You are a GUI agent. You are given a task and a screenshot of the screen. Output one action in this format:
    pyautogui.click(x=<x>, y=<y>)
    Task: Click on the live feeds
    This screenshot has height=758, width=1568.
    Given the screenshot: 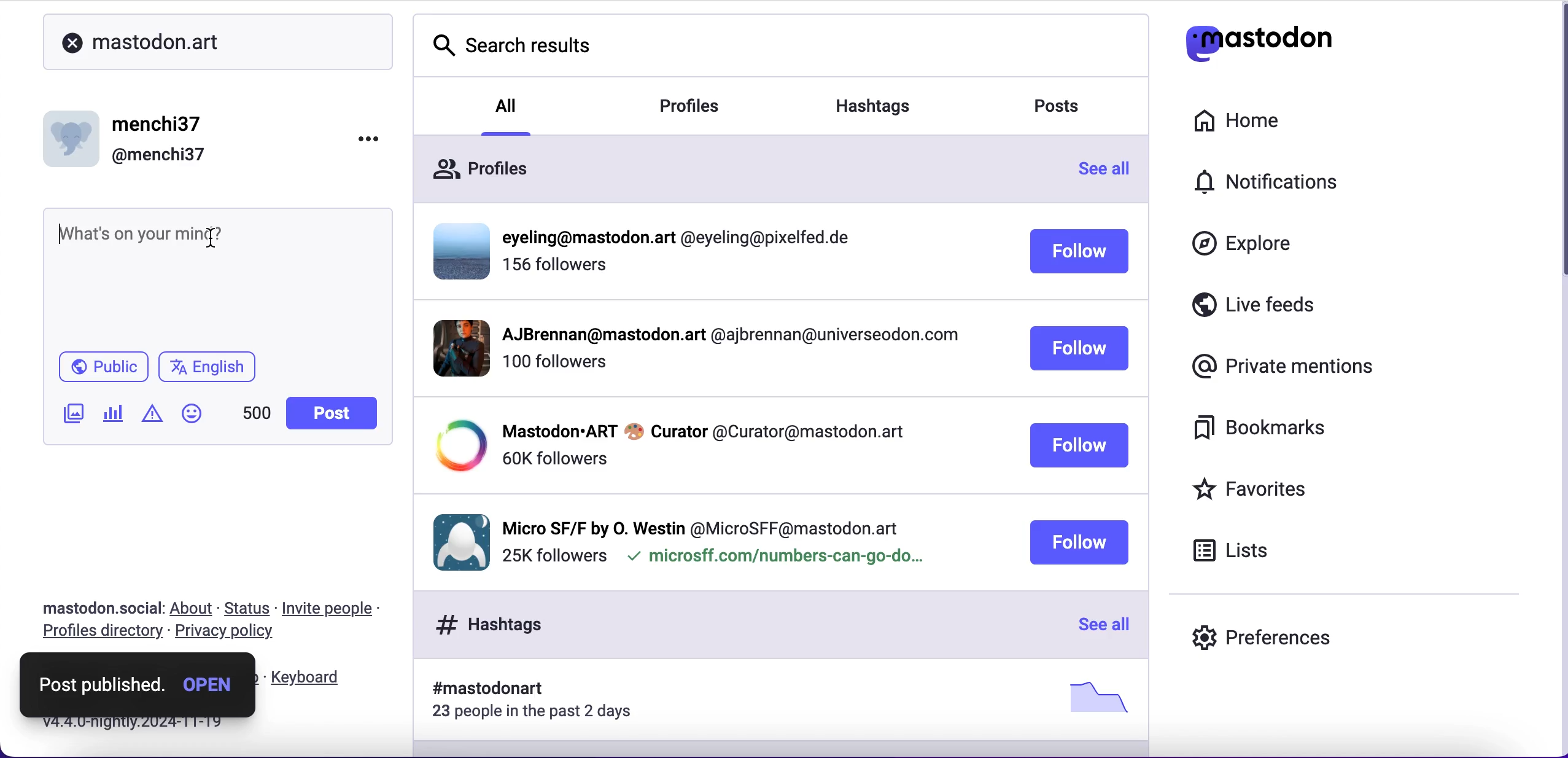 What is the action you would take?
    pyautogui.click(x=1297, y=305)
    